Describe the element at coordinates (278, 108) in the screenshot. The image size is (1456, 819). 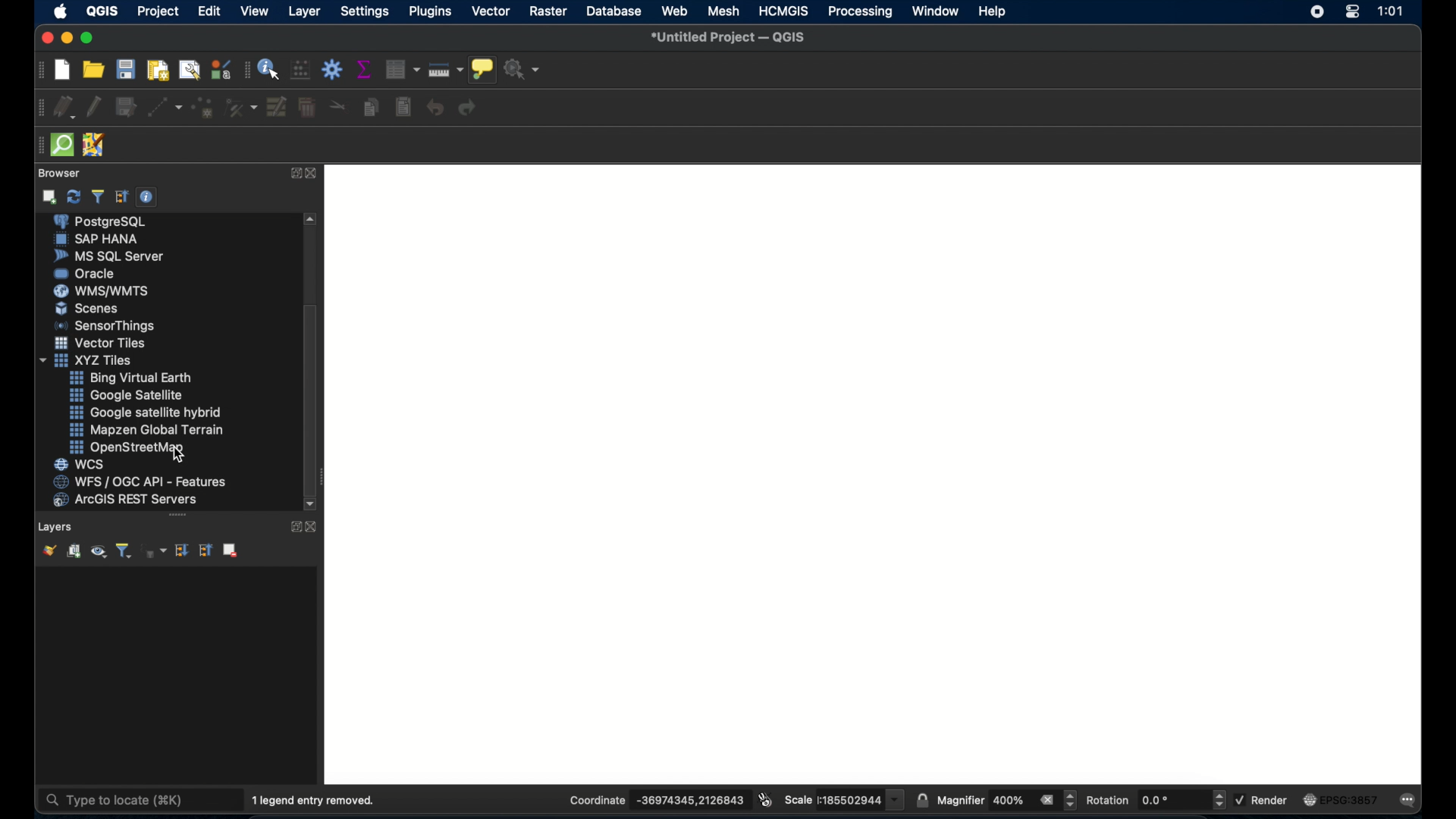
I see `modify. attributes` at that location.